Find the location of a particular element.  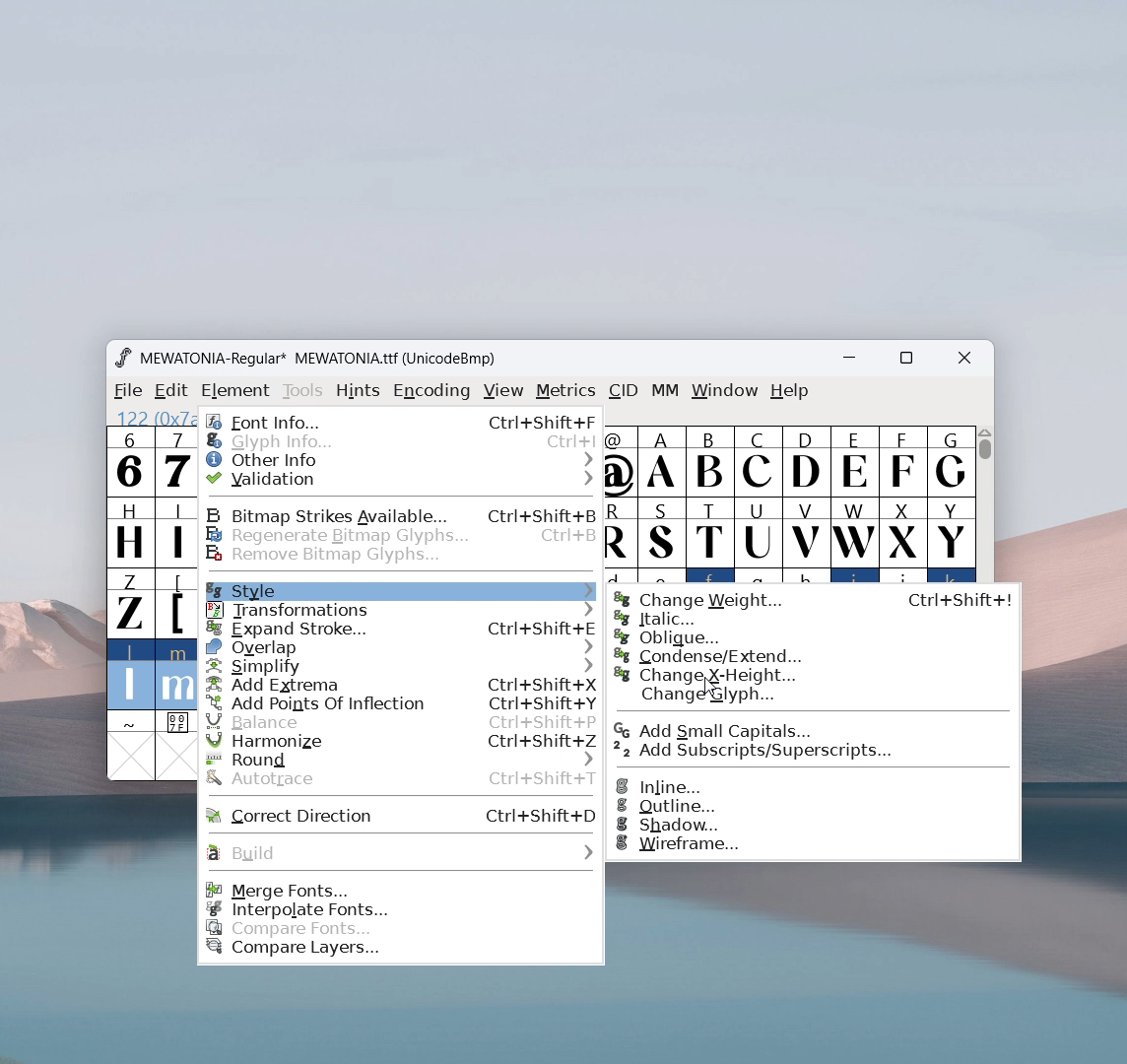

E is located at coordinates (854, 461).